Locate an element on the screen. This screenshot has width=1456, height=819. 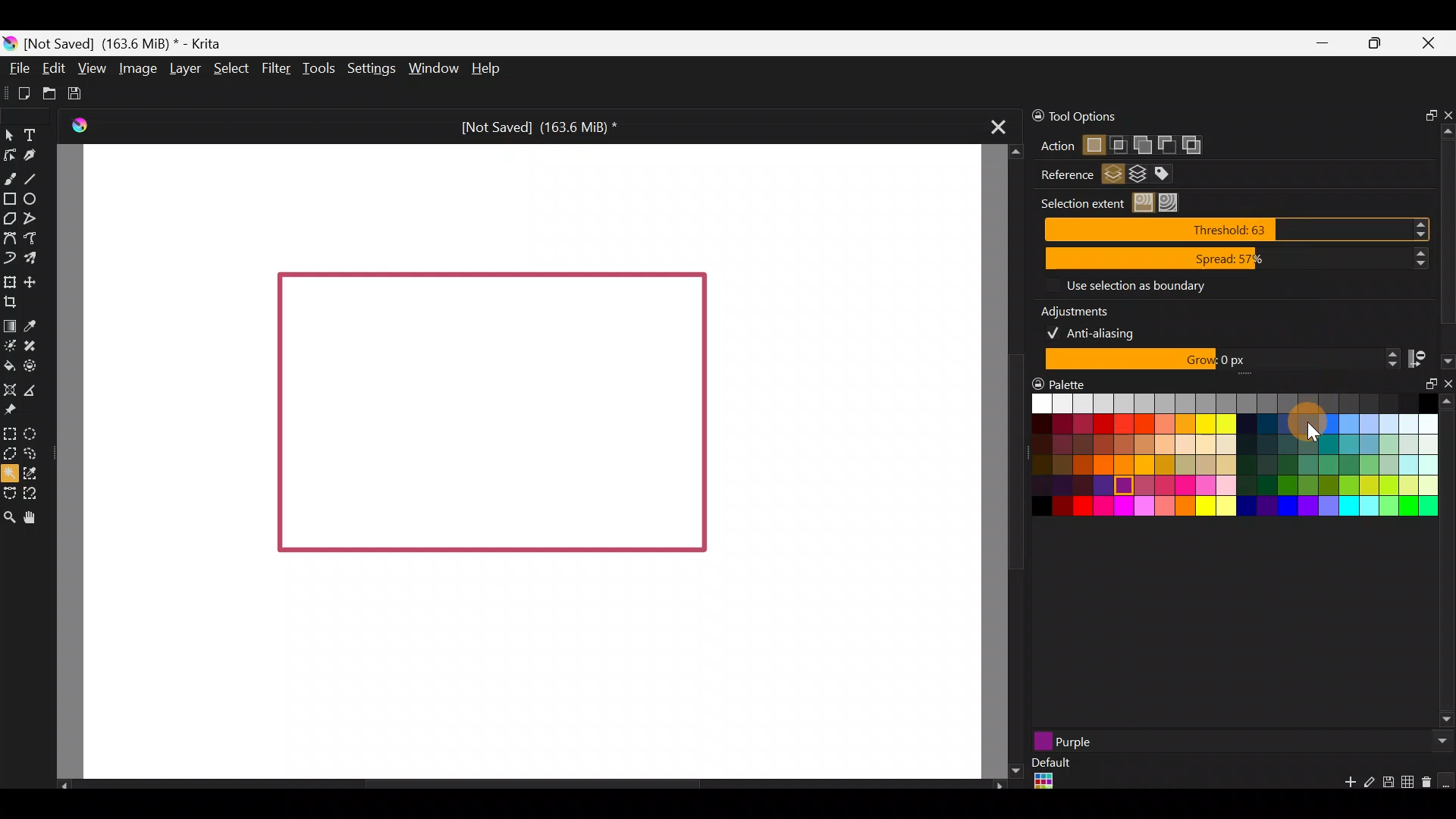
Select shapes tool is located at coordinates (12, 137).